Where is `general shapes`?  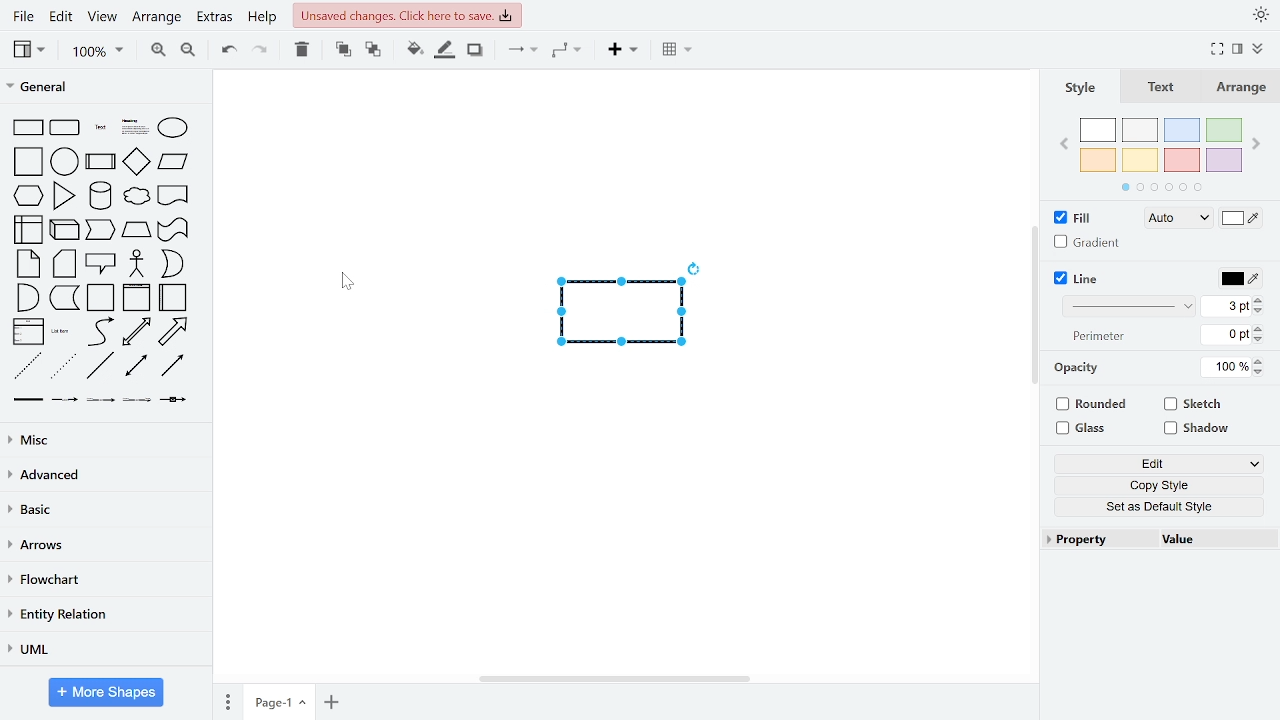 general shapes is located at coordinates (101, 298).